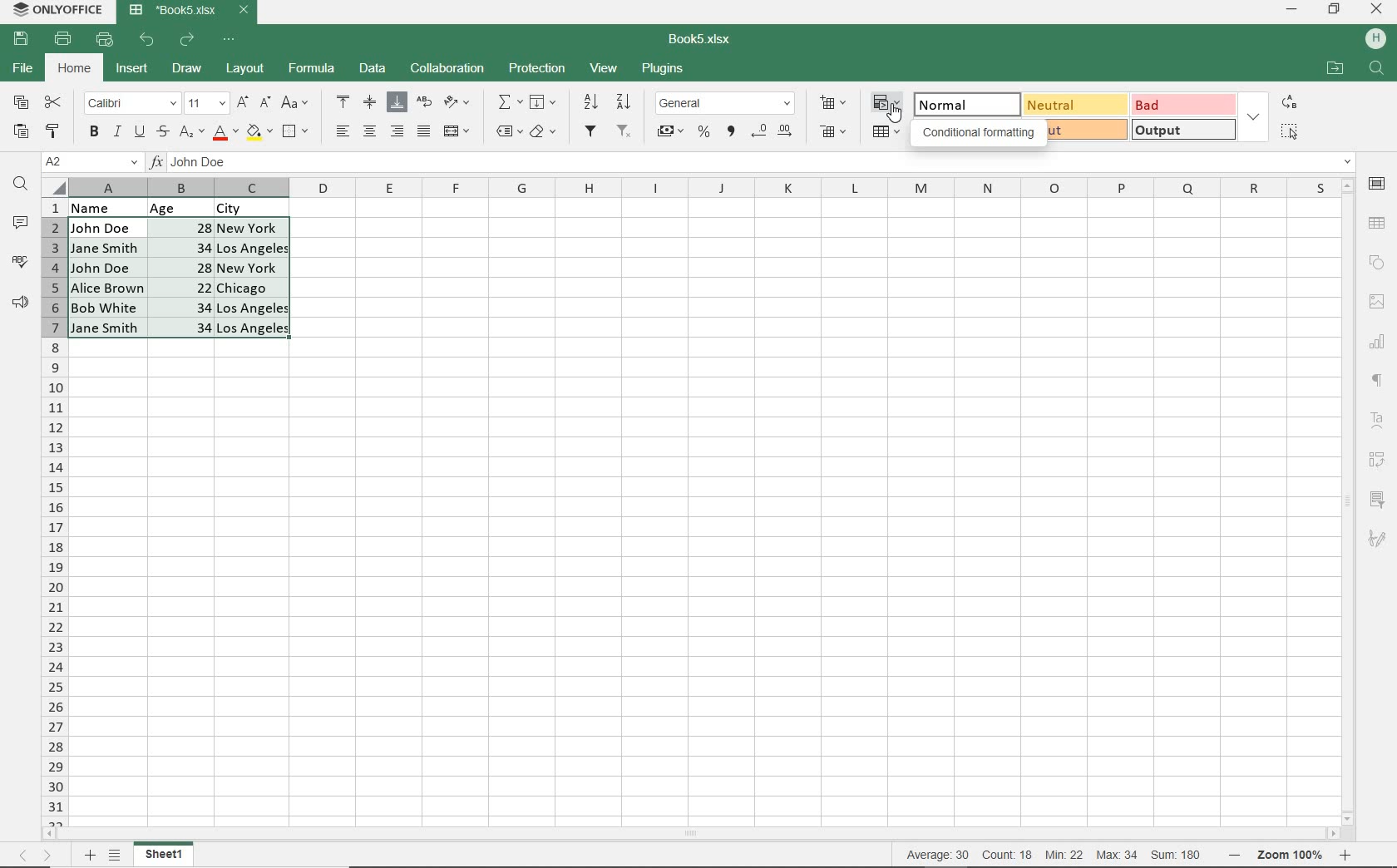 The height and width of the screenshot is (868, 1397). Describe the element at coordinates (369, 101) in the screenshot. I see `ALIGN MIDDLE` at that location.